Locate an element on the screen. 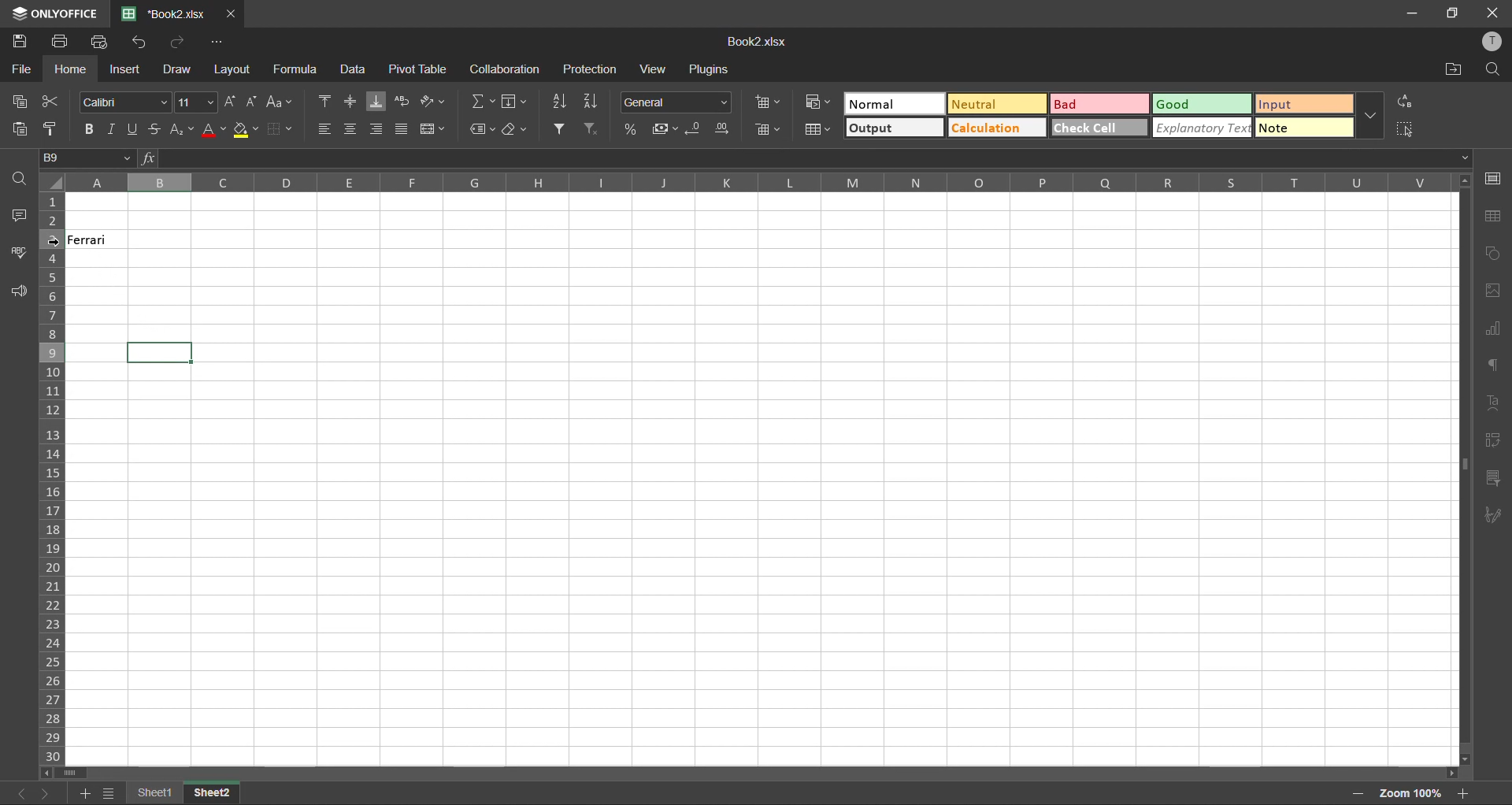  formula is located at coordinates (296, 71).